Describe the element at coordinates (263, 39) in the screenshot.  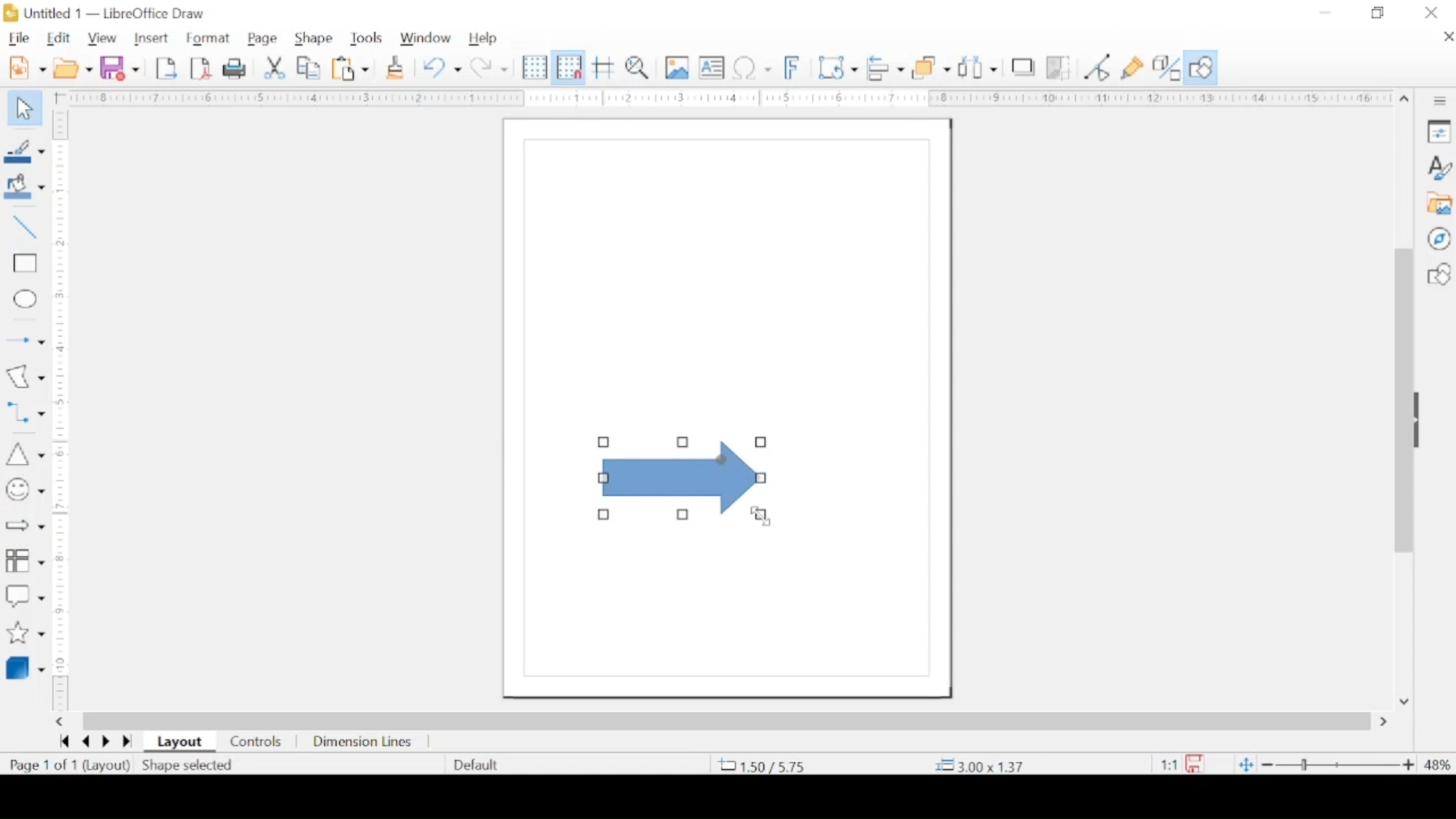
I see `page` at that location.